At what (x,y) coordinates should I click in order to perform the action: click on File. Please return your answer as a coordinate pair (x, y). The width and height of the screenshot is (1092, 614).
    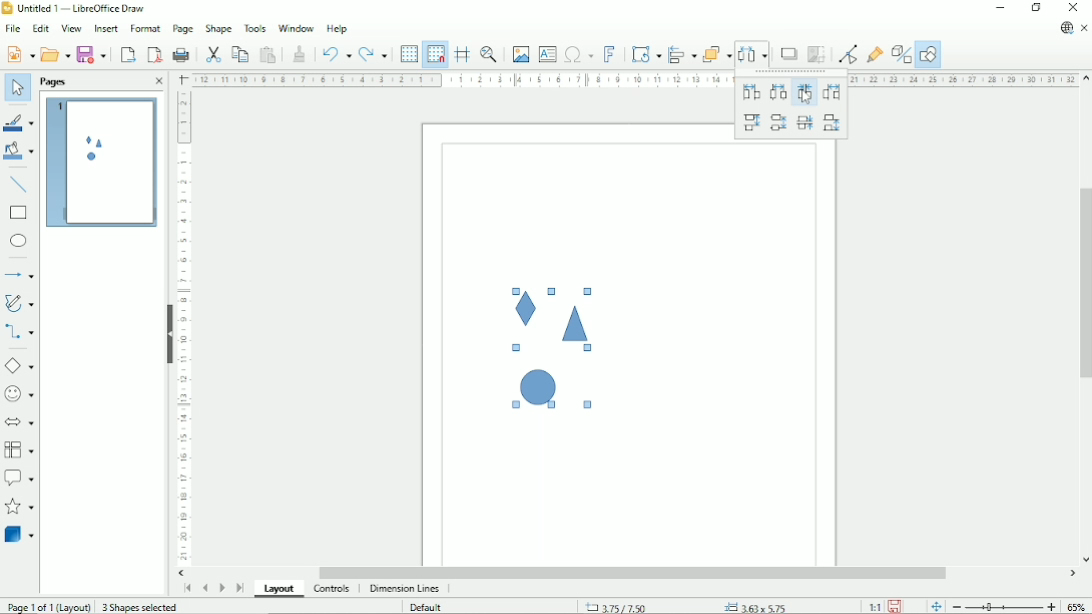
    Looking at the image, I should click on (12, 28).